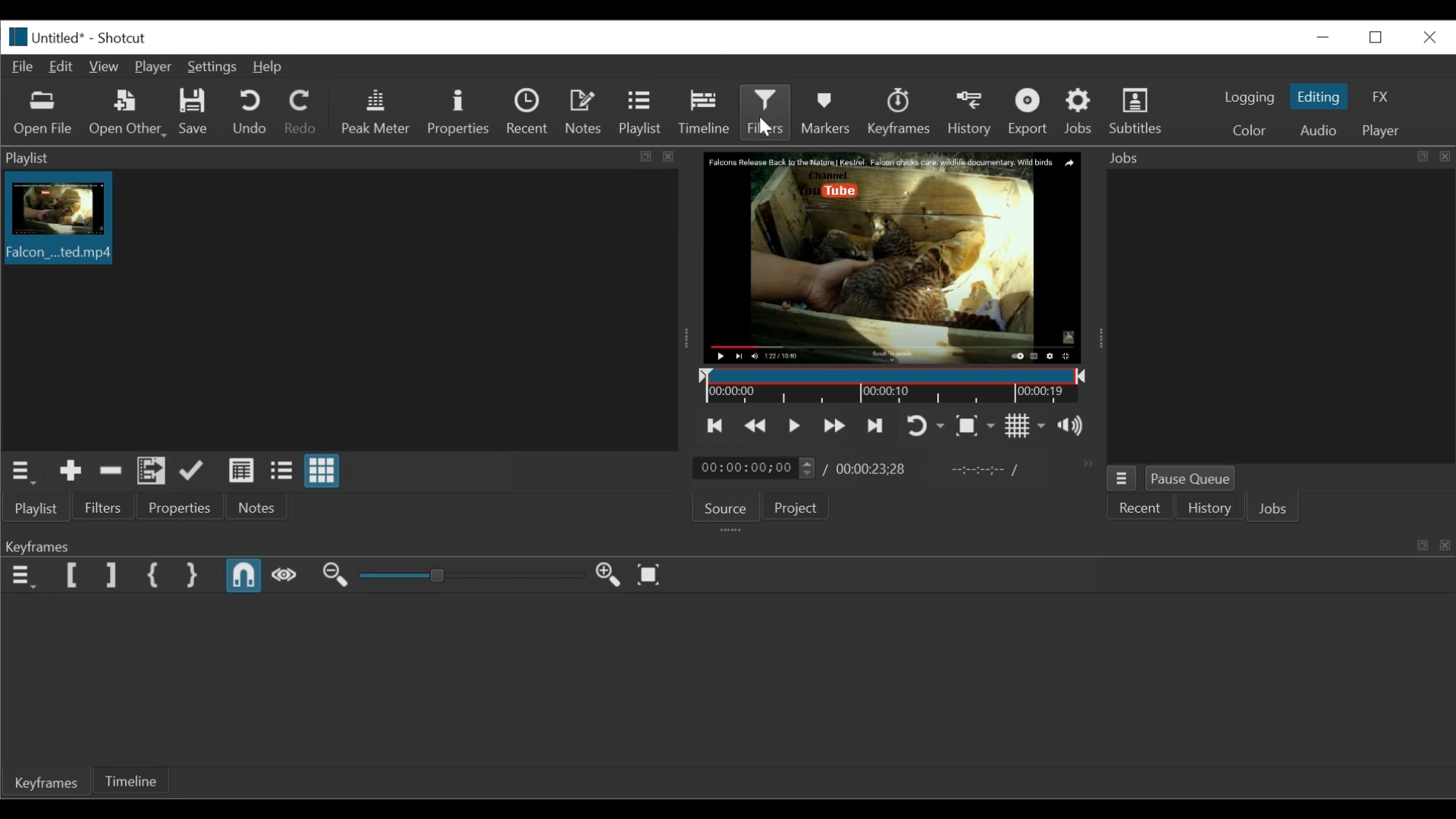 This screenshot has height=819, width=1456. Describe the element at coordinates (131, 780) in the screenshot. I see `Timeline` at that location.